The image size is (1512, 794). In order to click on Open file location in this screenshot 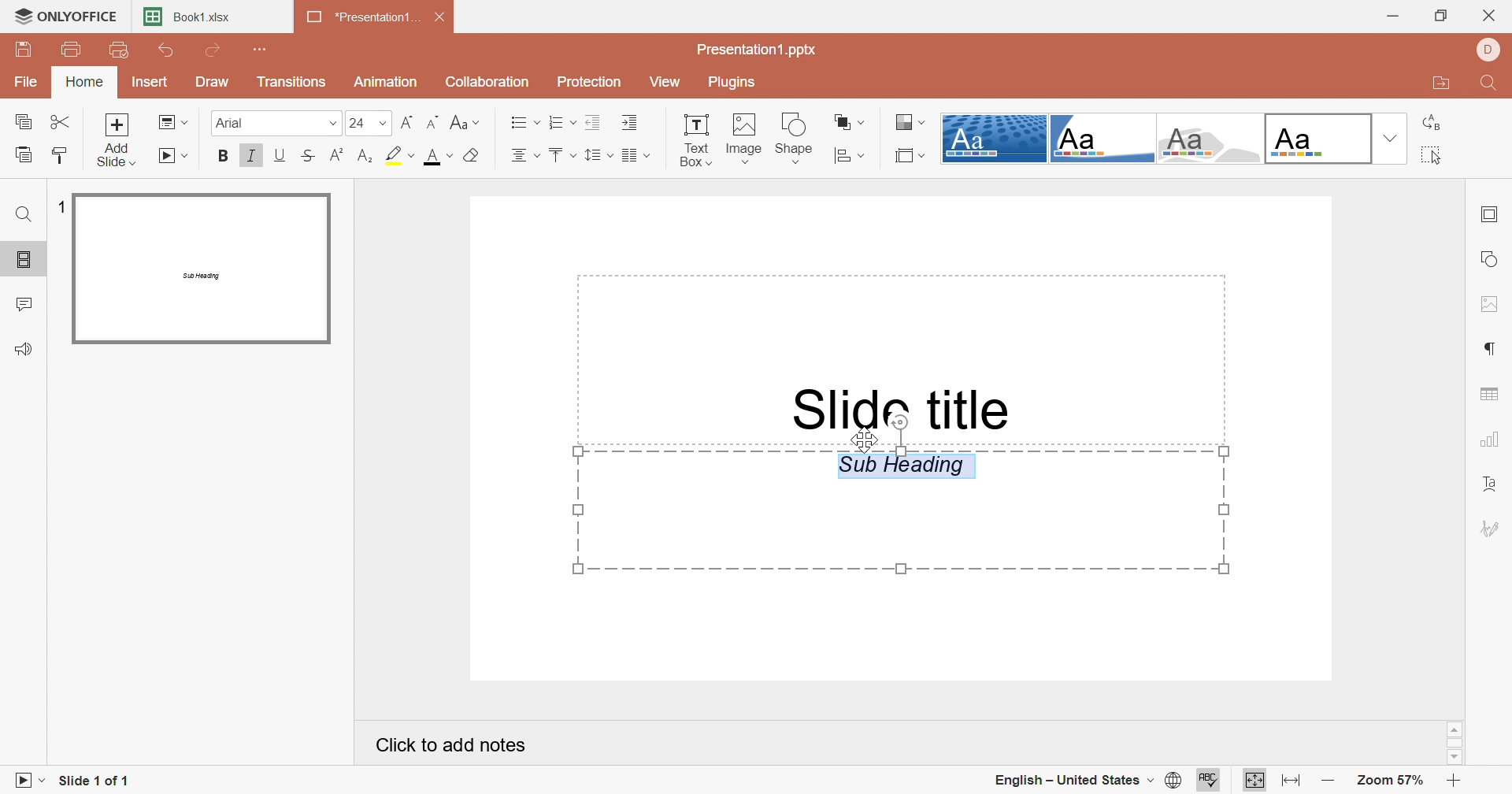, I will do `click(1444, 84)`.